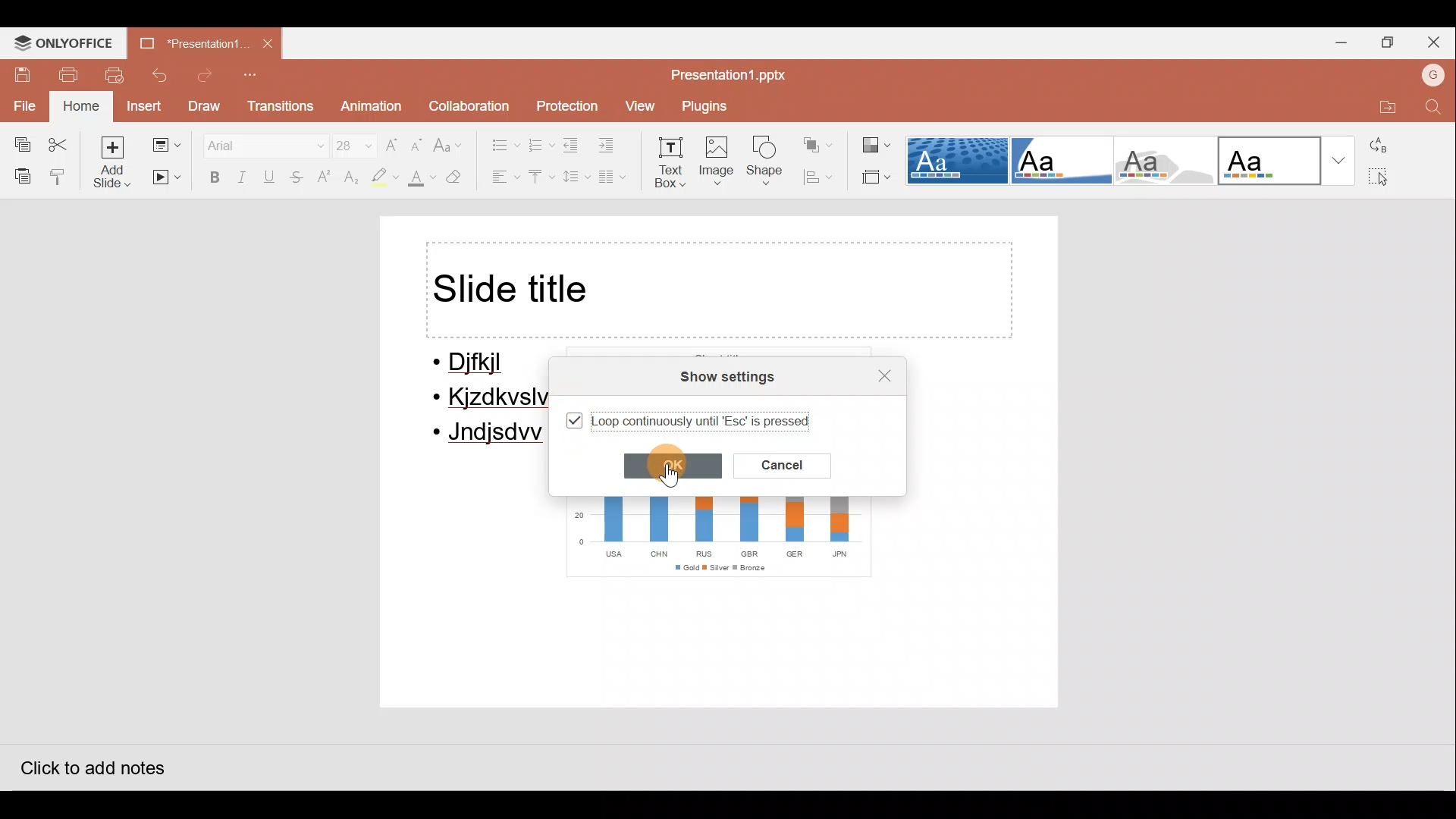 The height and width of the screenshot is (819, 1456). What do you see at coordinates (65, 143) in the screenshot?
I see `Cut` at bounding box center [65, 143].